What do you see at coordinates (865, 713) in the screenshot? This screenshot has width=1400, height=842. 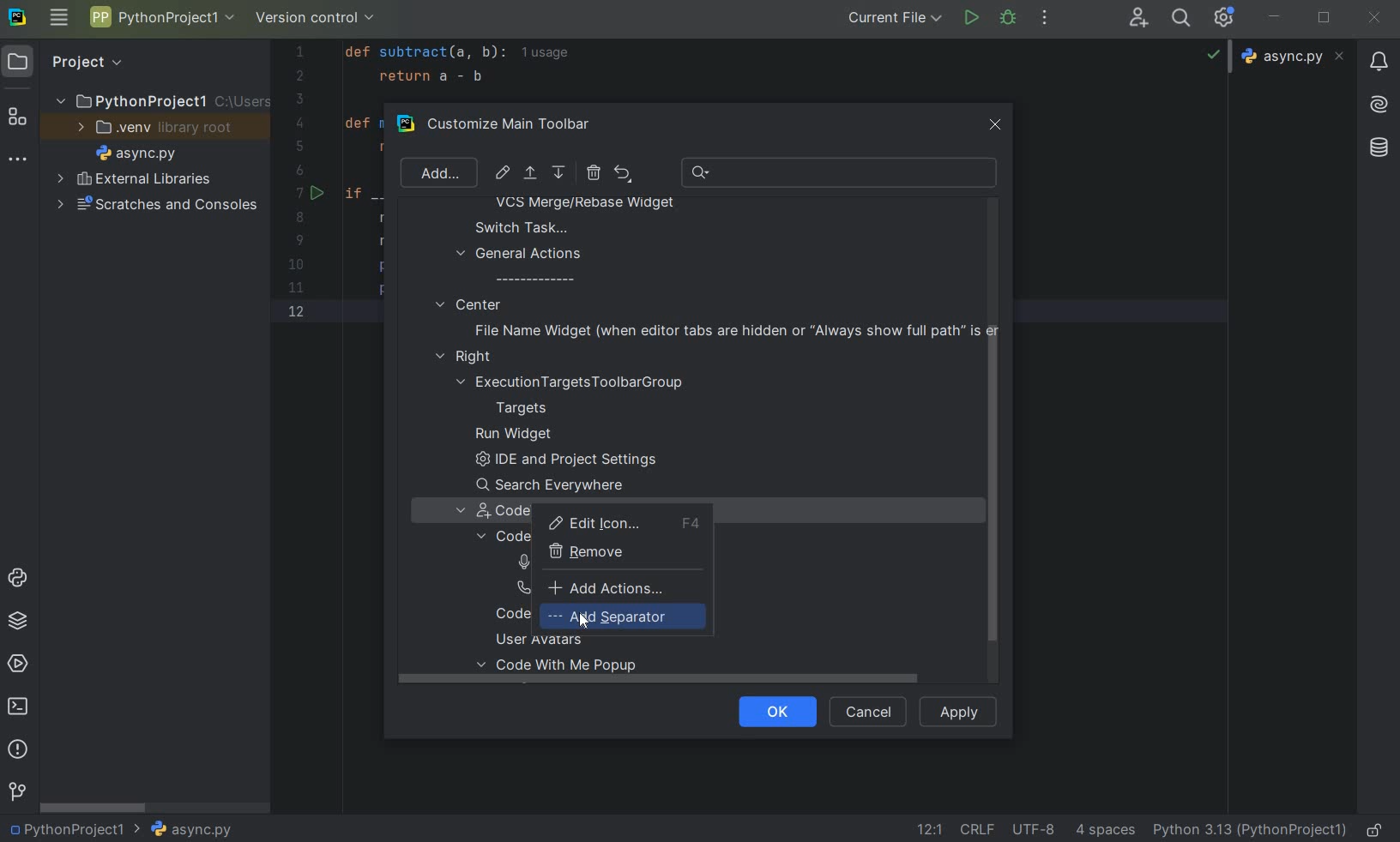 I see `cancel` at bounding box center [865, 713].